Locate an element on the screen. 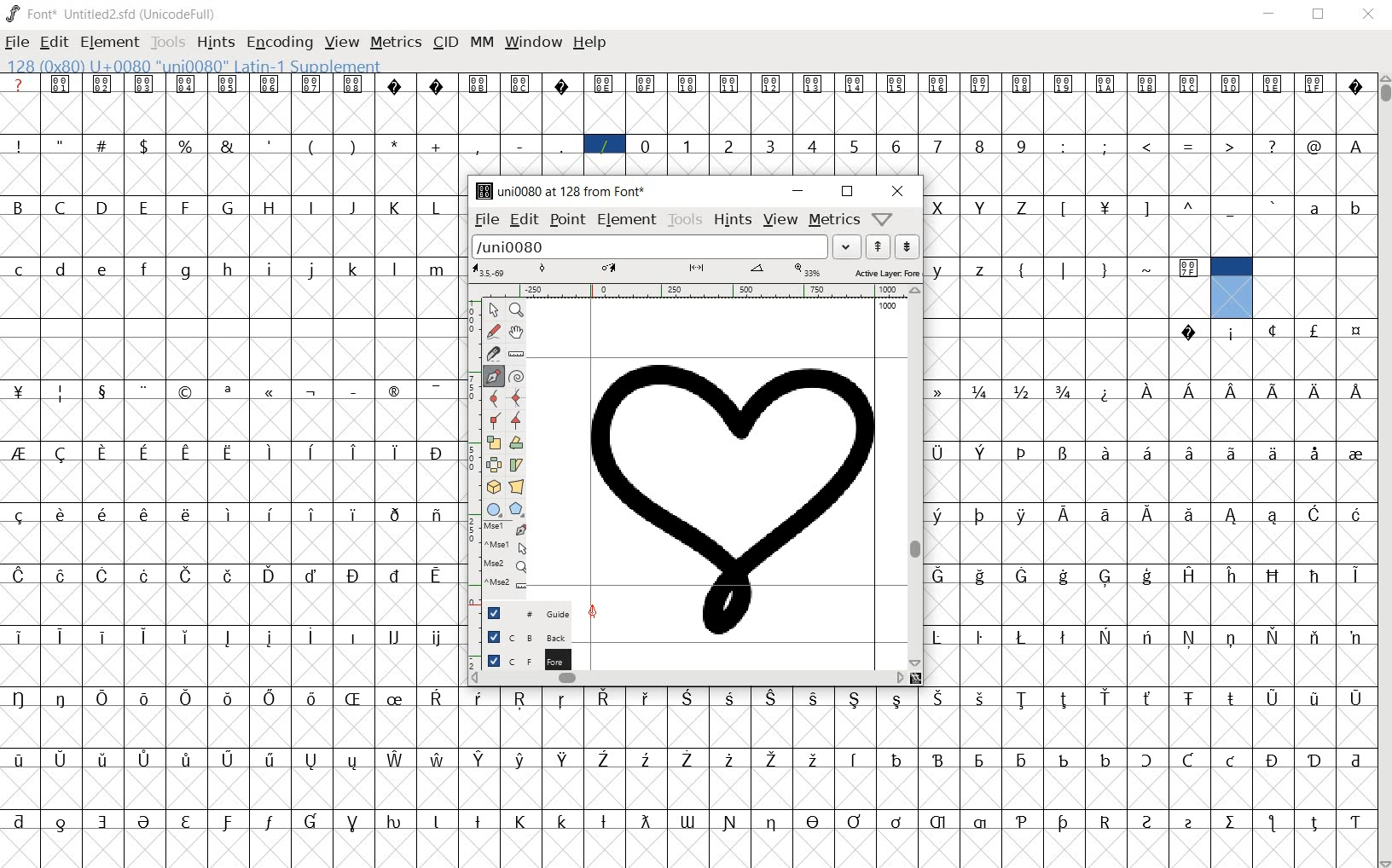 The image size is (1392, 868). glyph is located at coordinates (771, 85).